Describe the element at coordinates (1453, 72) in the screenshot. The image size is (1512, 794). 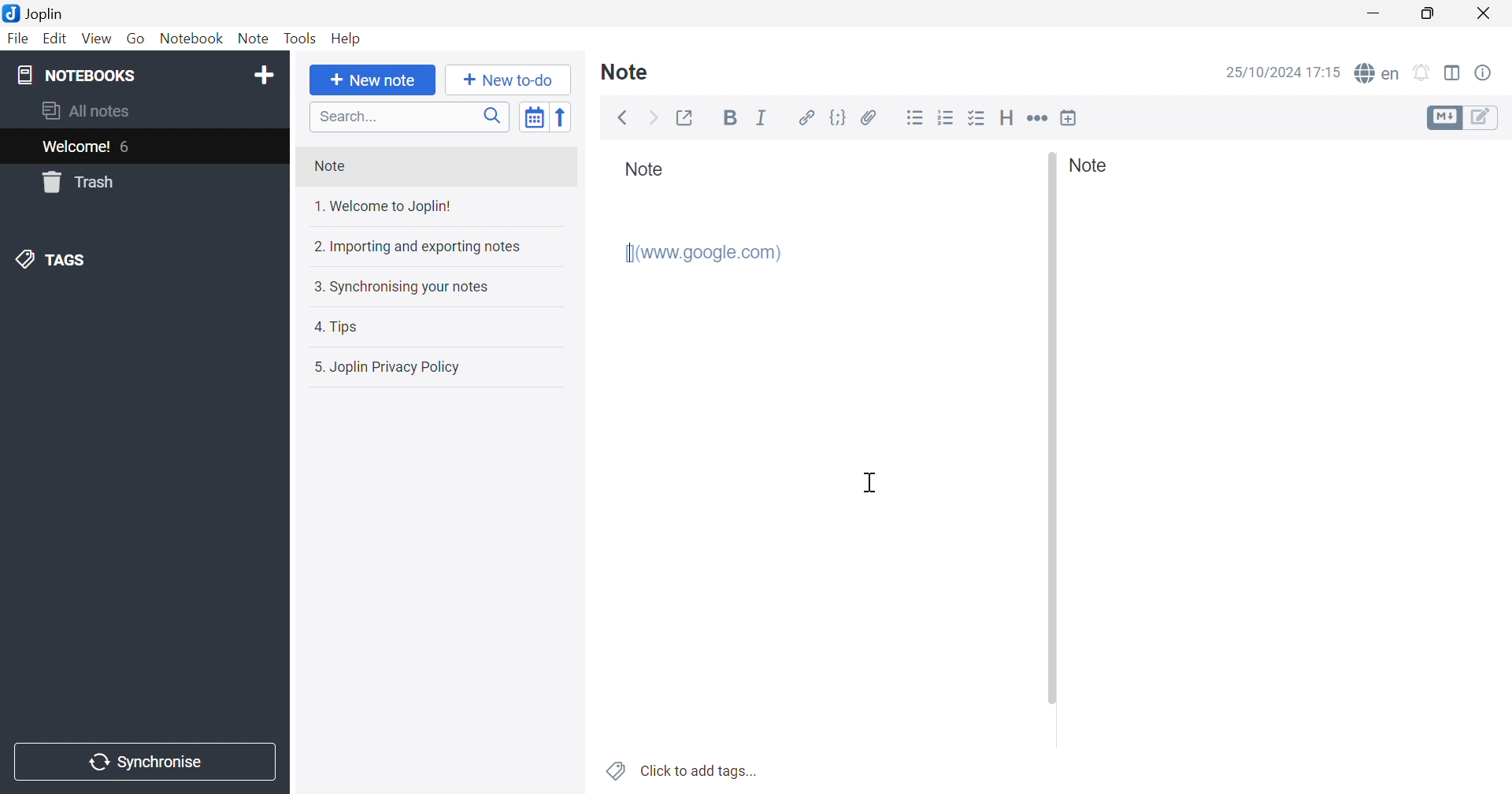
I see `Toggle editor layout` at that location.